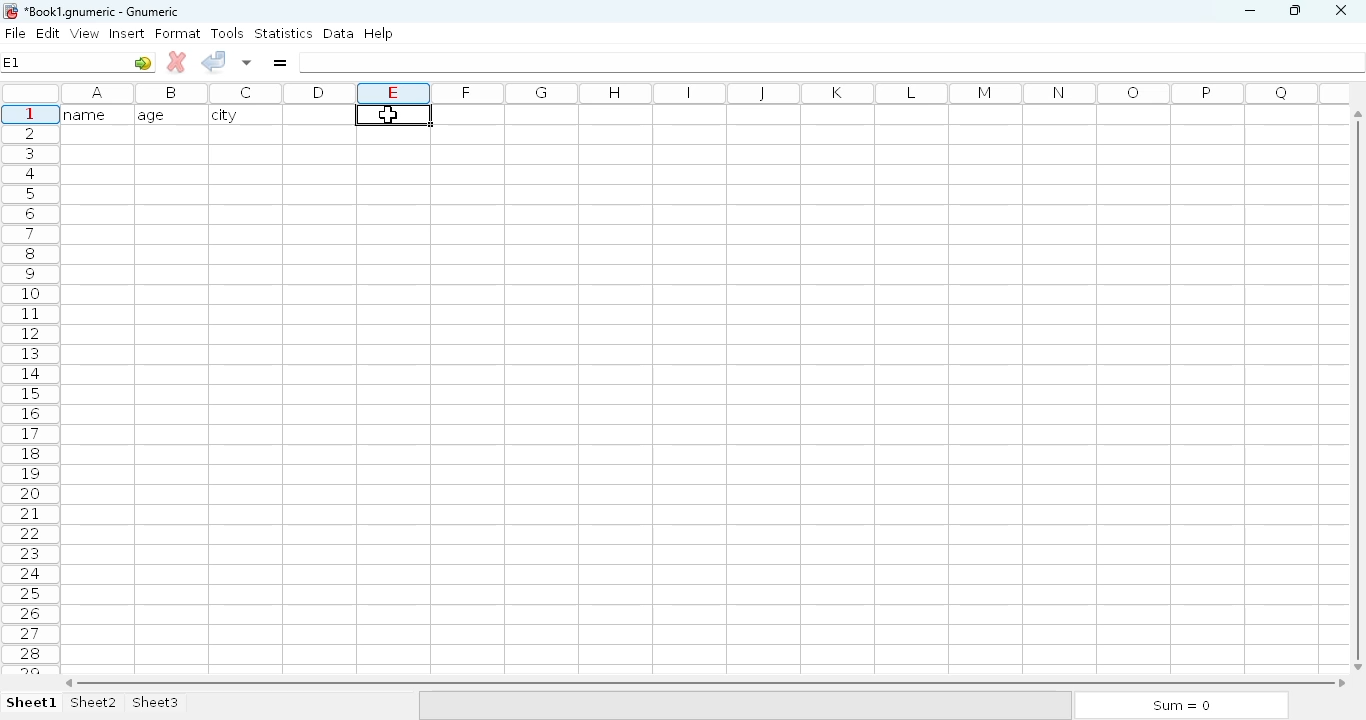 The height and width of the screenshot is (720, 1366). Describe the element at coordinates (1361, 389) in the screenshot. I see `vertical scroll bar` at that location.